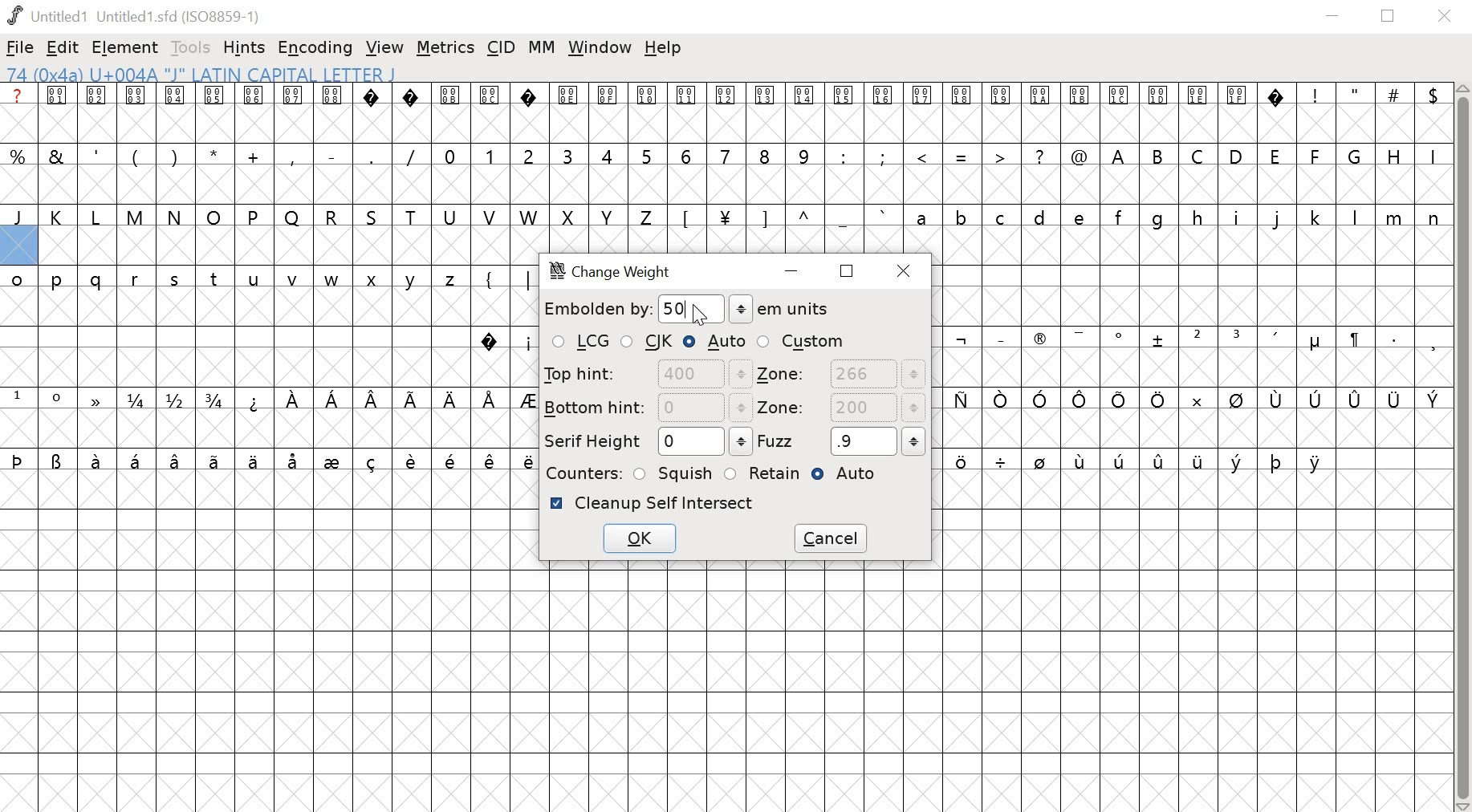 This screenshot has width=1472, height=812. What do you see at coordinates (390, 400) in the screenshot?
I see `symbols` at bounding box center [390, 400].